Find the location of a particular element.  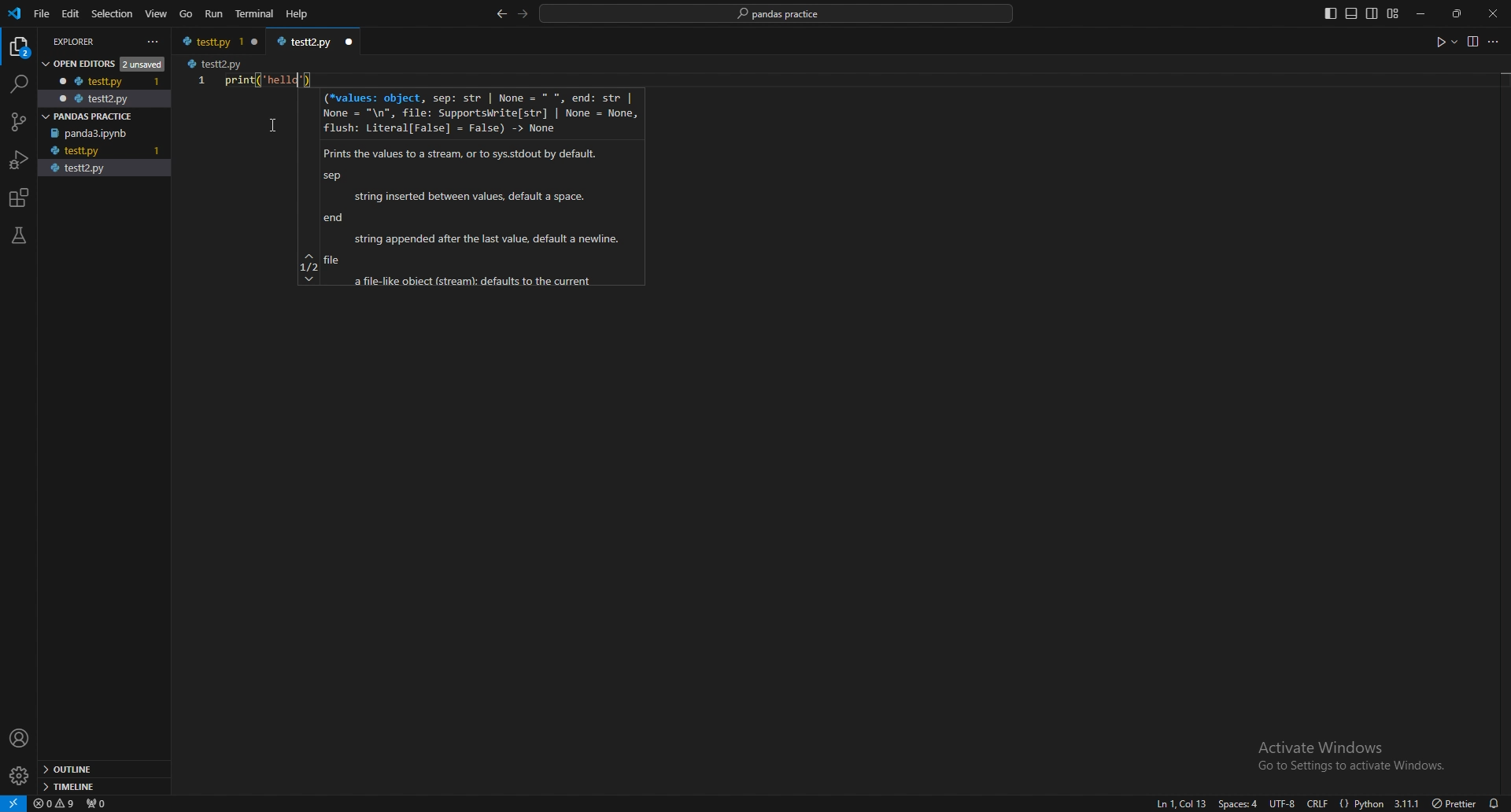

testt.py is located at coordinates (208, 41).